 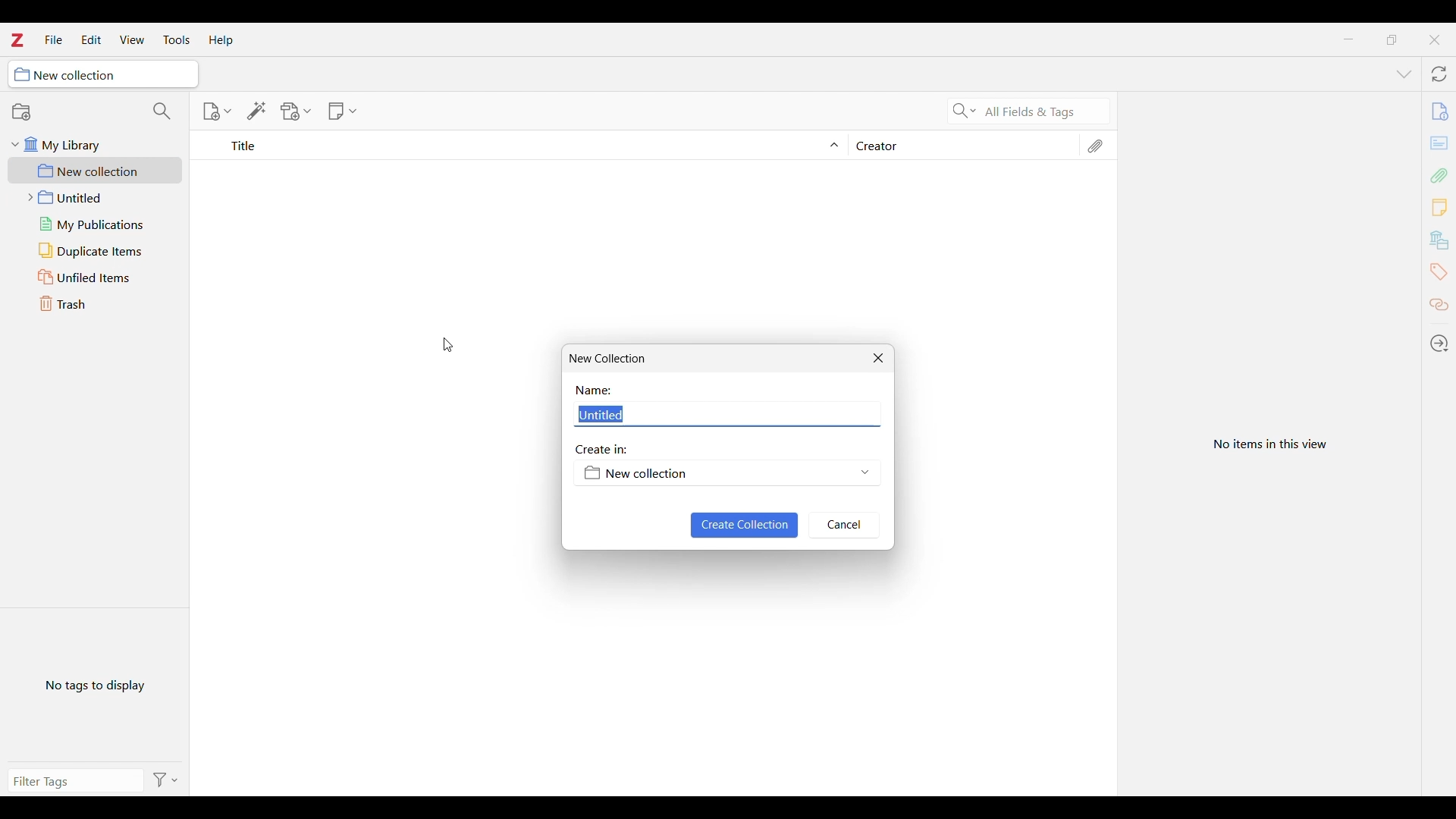 I want to click on Current collection, so click(x=102, y=74).